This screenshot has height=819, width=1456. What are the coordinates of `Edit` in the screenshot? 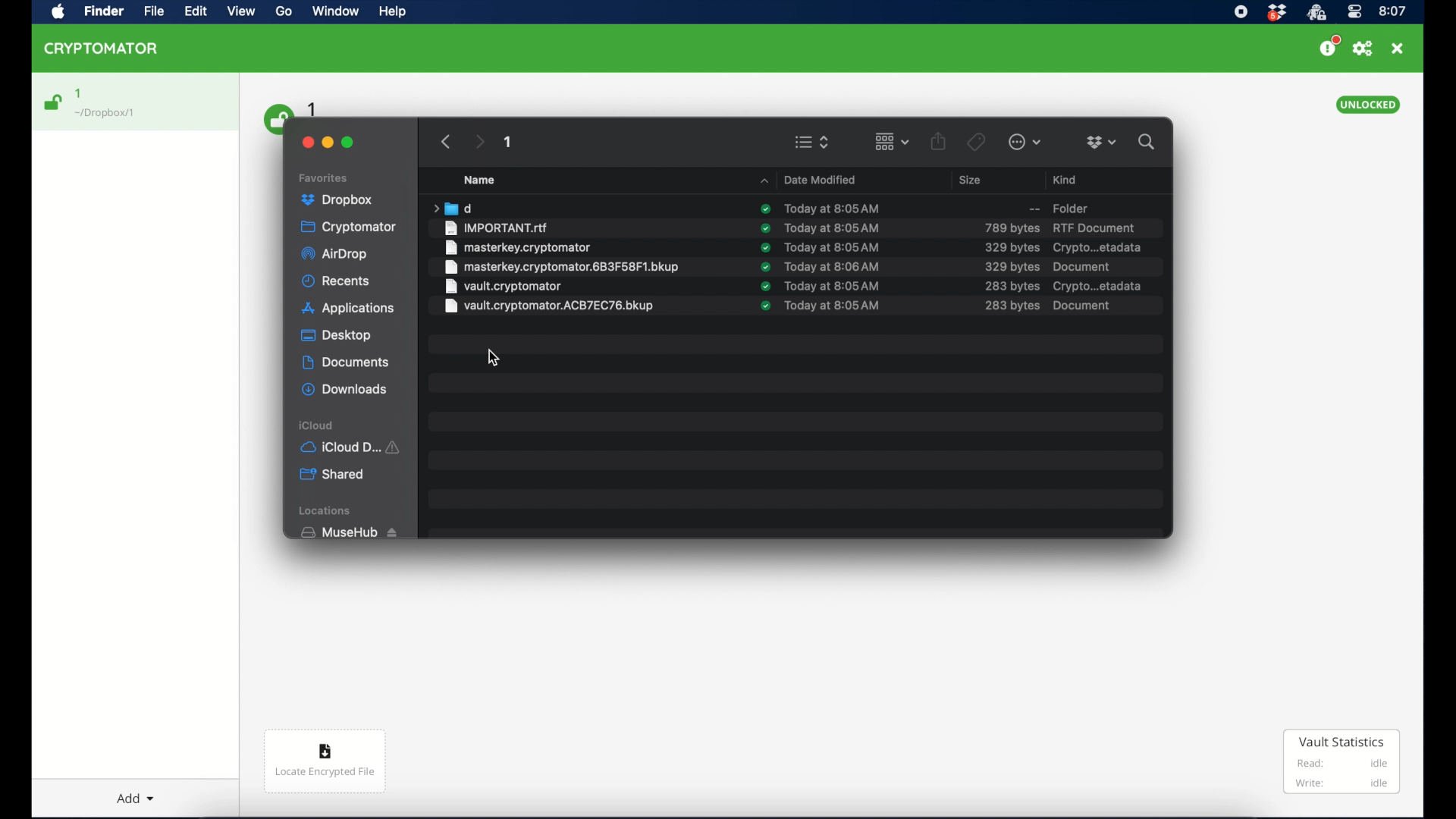 It's located at (197, 12).